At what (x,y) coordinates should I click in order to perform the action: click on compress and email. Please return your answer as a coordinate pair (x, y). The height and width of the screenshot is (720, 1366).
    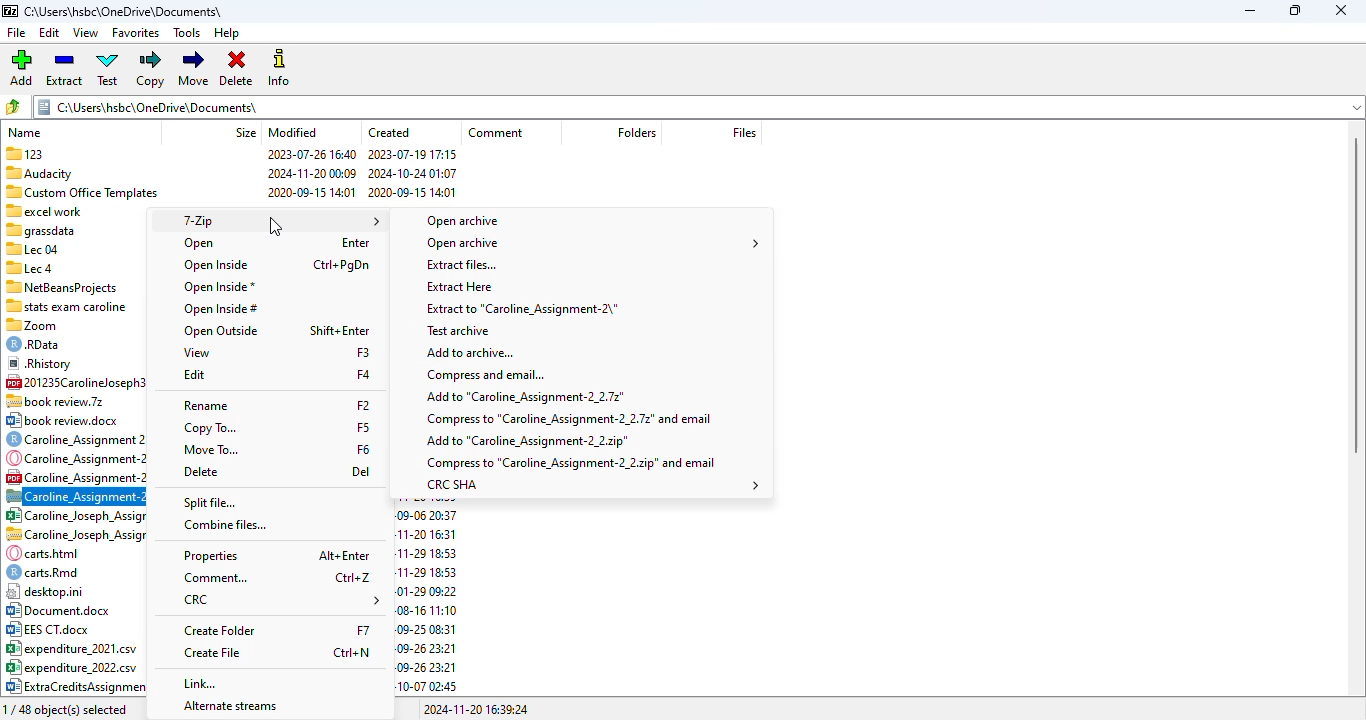
    Looking at the image, I should click on (485, 375).